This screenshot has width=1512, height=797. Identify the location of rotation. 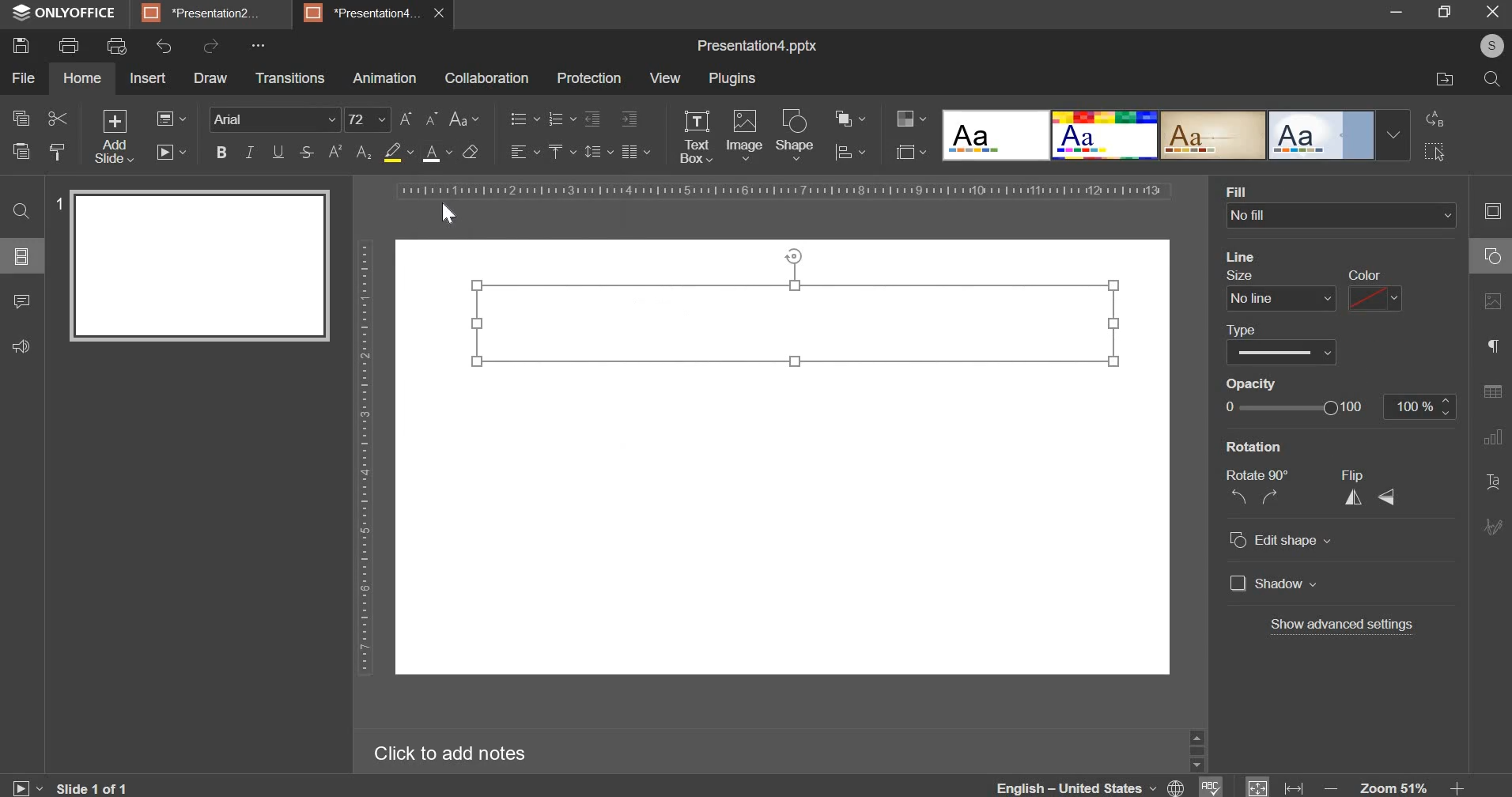
(1306, 448).